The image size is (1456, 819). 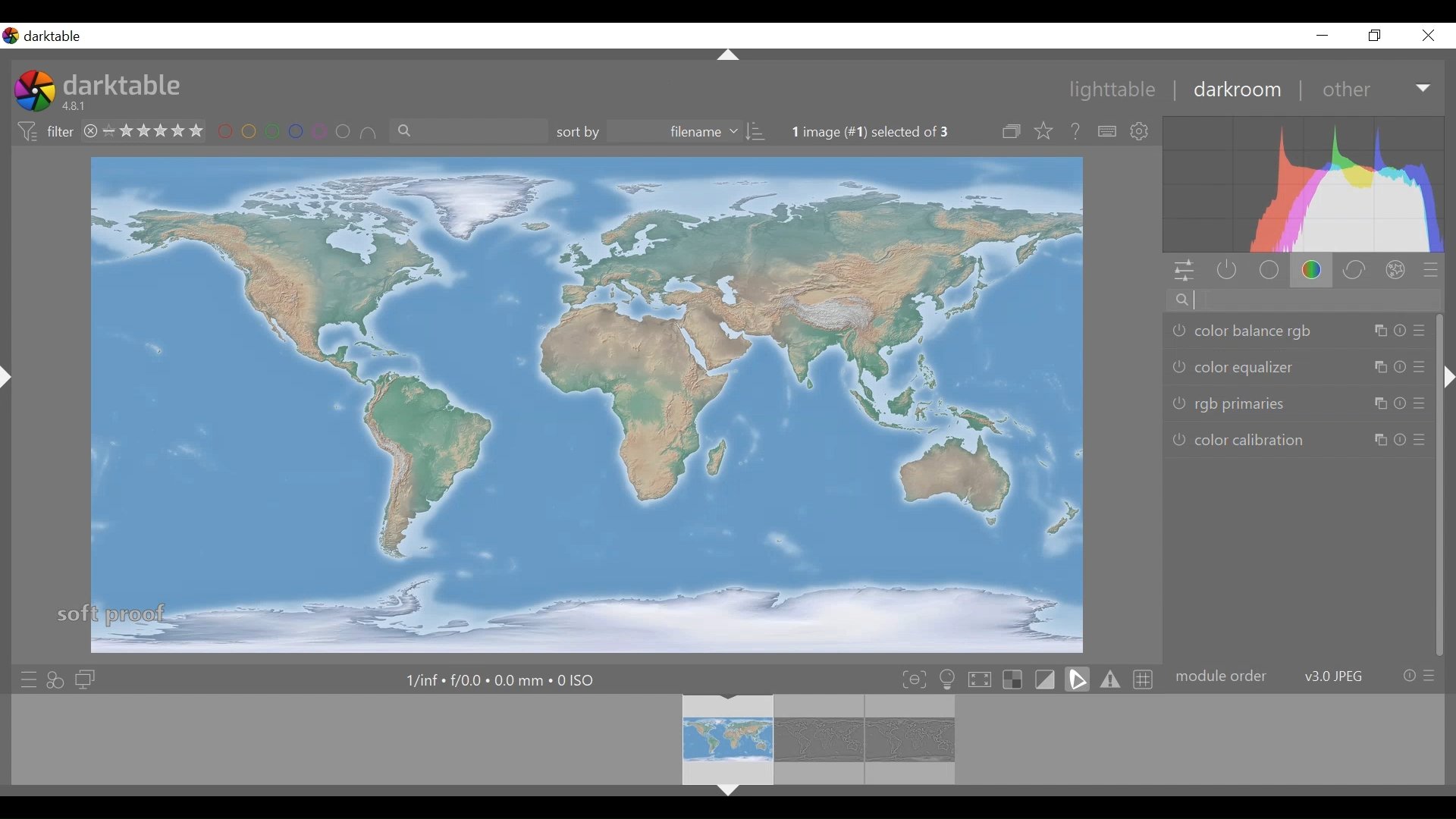 What do you see at coordinates (1109, 679) in the screenshot?
I see `toggle gamut checking` at bounding box center [1109, 679].